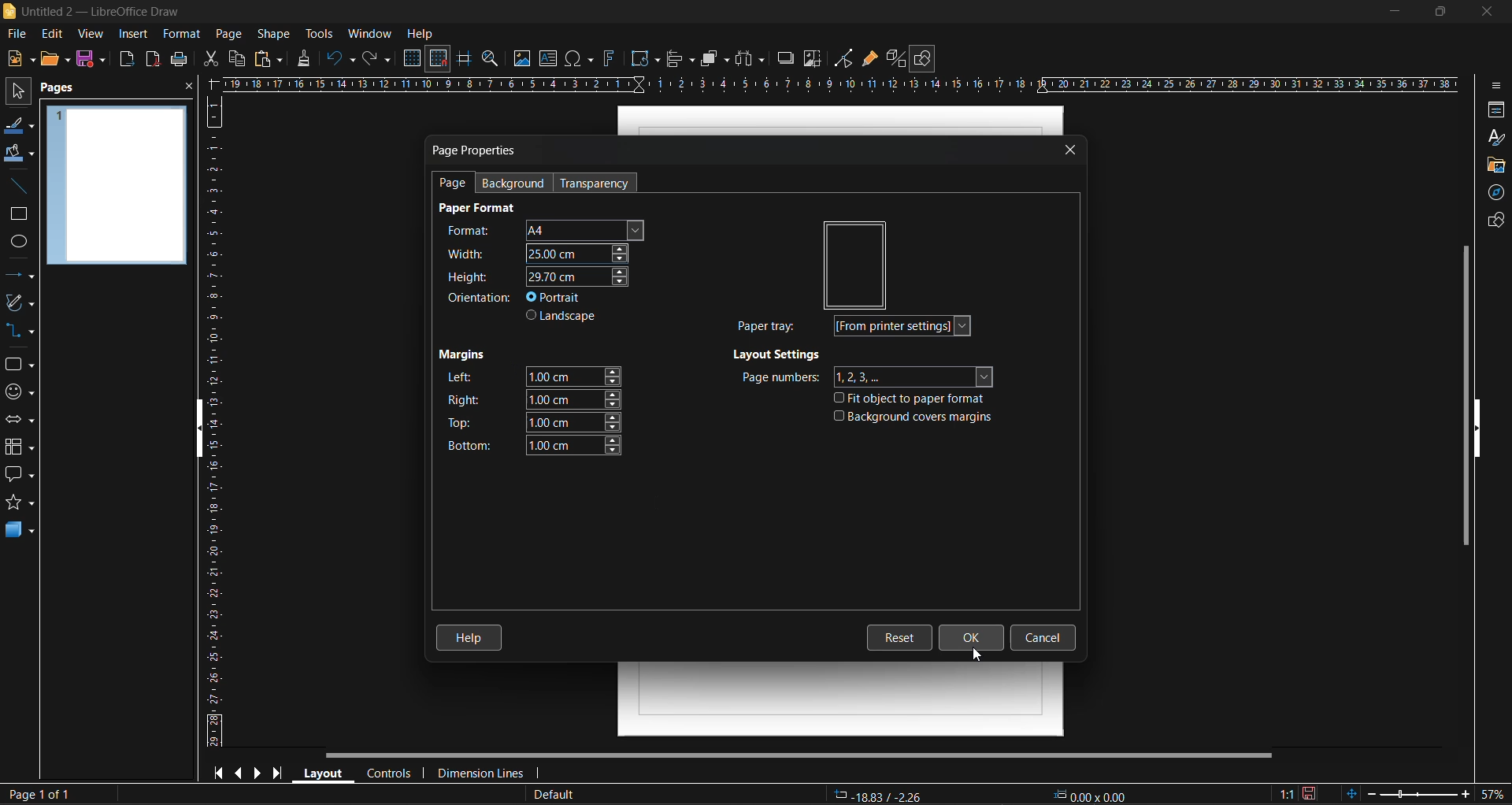  What do you see at coordinates (17, 61) in the screenshot?
I see `new` at bounding box center [17, 61].